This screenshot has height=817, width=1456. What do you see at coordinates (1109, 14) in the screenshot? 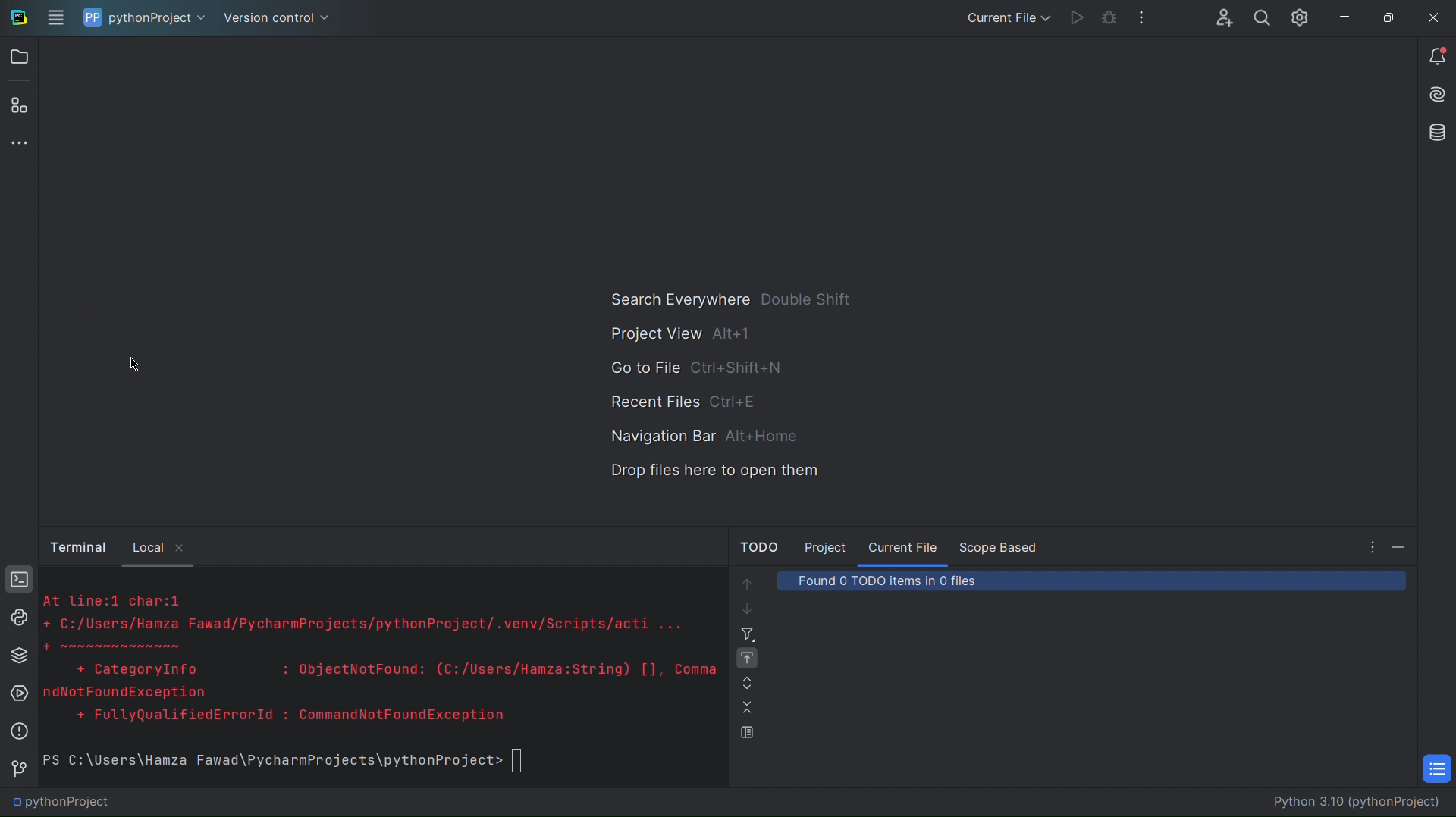
I see `Debug` at bounding box center [1109, 14].